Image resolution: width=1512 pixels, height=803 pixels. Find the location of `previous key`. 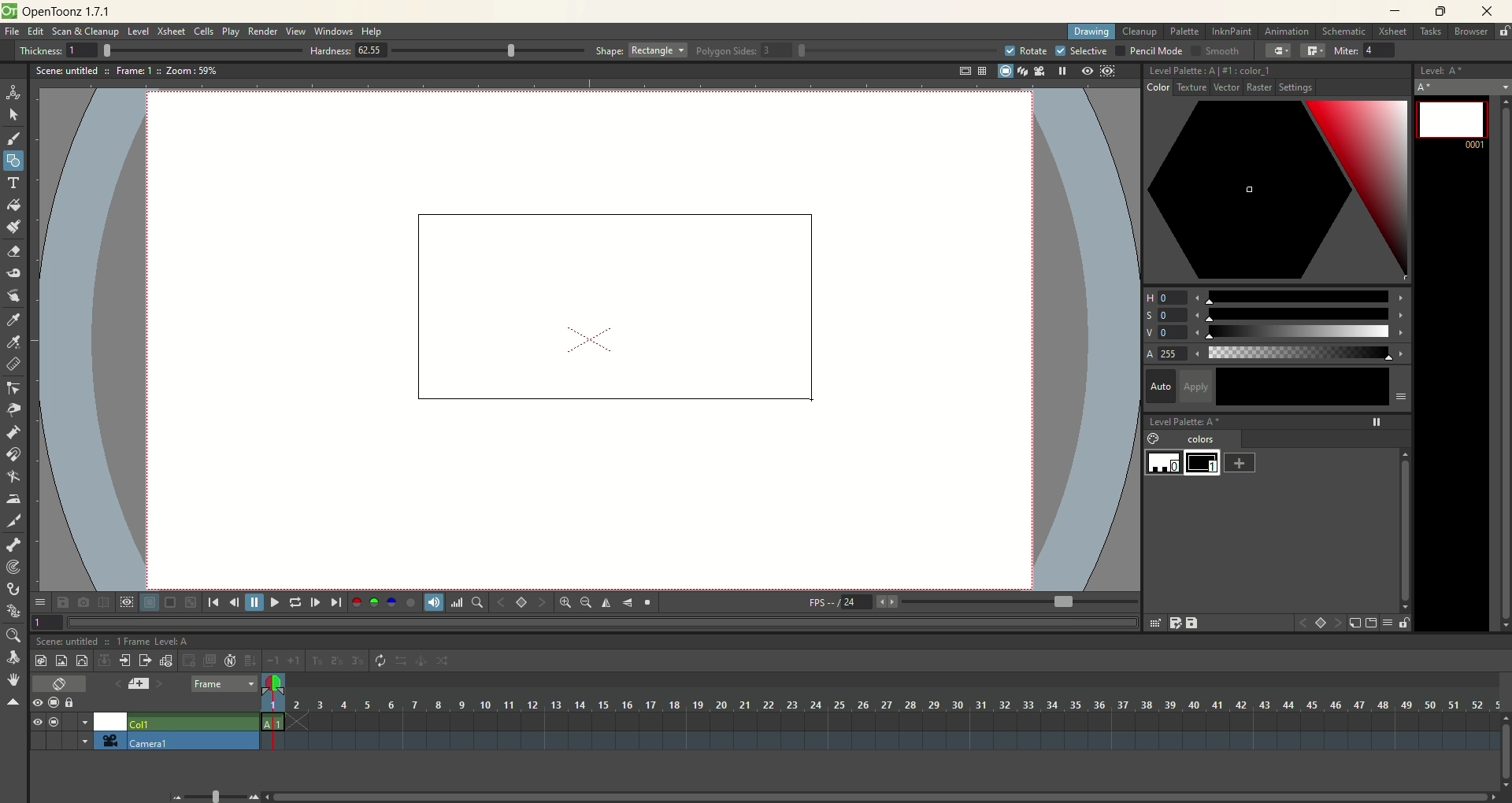

previous key is located at coordinates (502, 602).